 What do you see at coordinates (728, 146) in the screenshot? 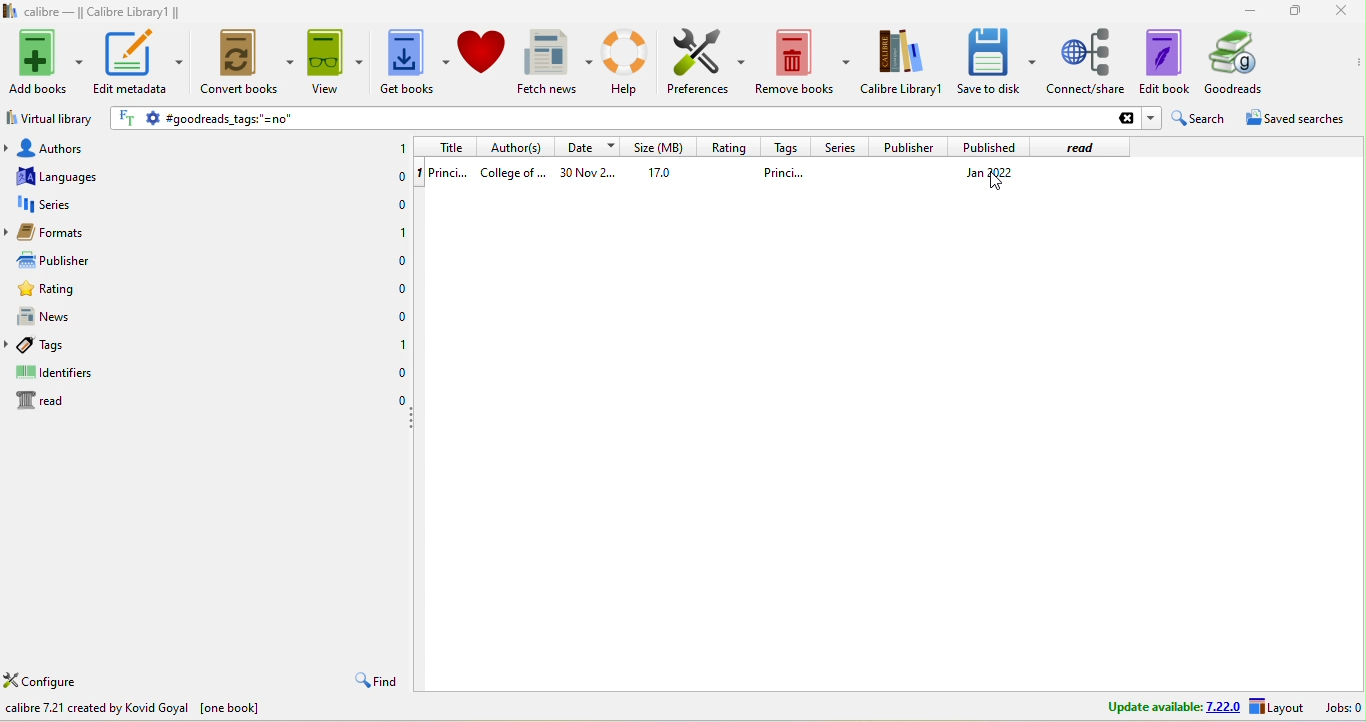
I see `rating` at bounding box center [728, 146].